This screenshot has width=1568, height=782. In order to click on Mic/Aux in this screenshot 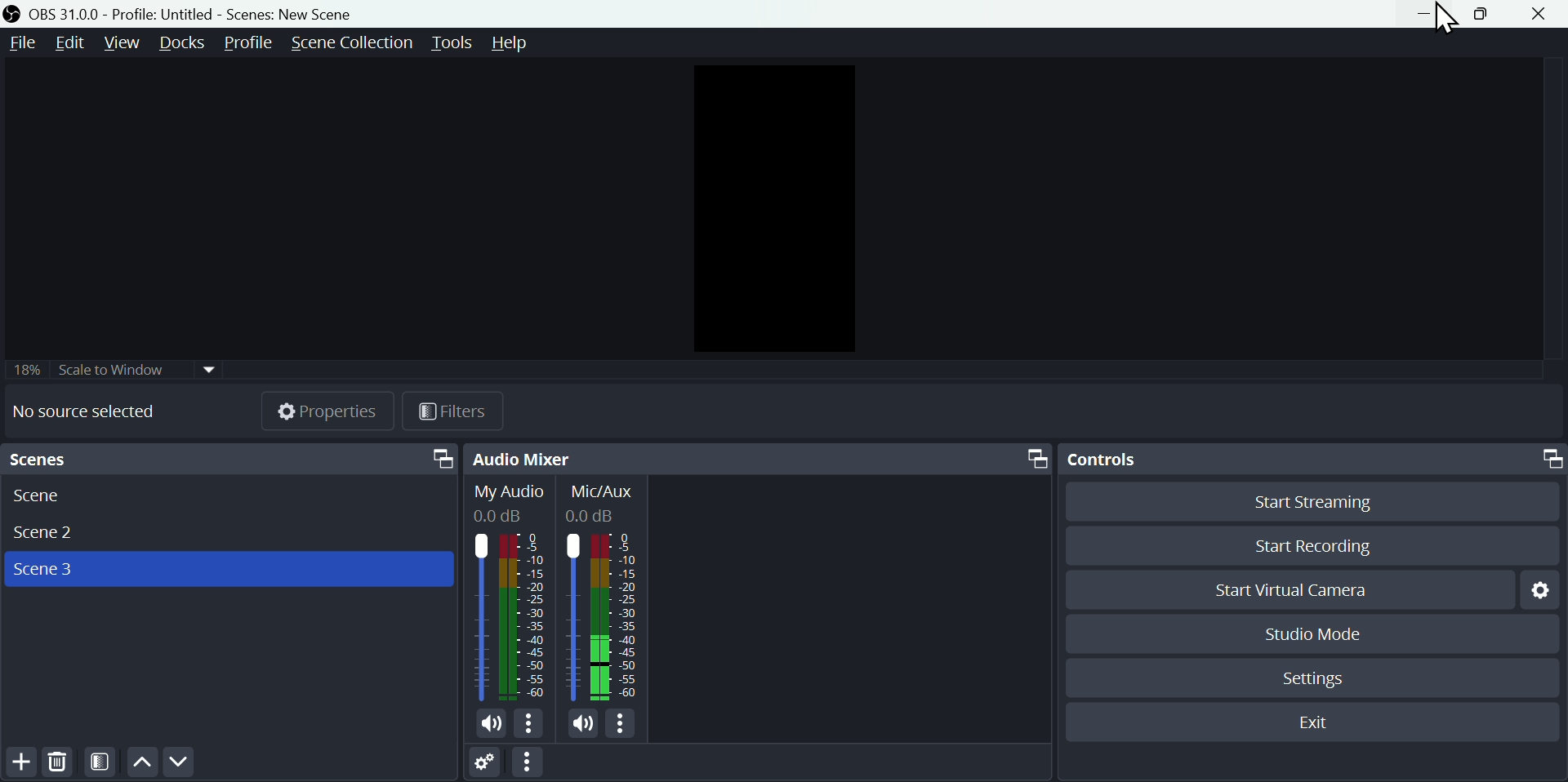, I will do `click(604, 593)`.